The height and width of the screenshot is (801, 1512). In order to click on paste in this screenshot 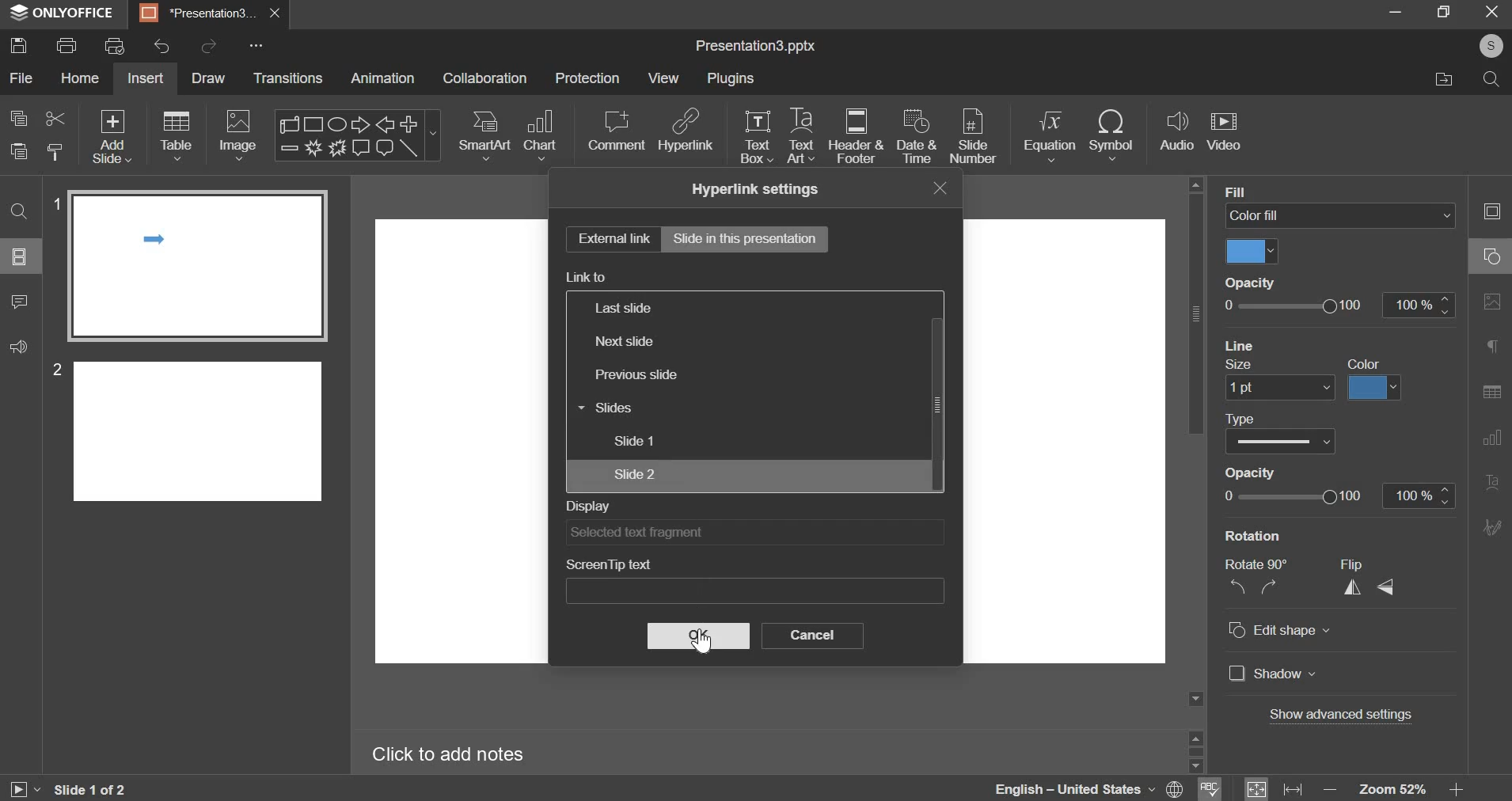, I will do `click(56, 150)`.